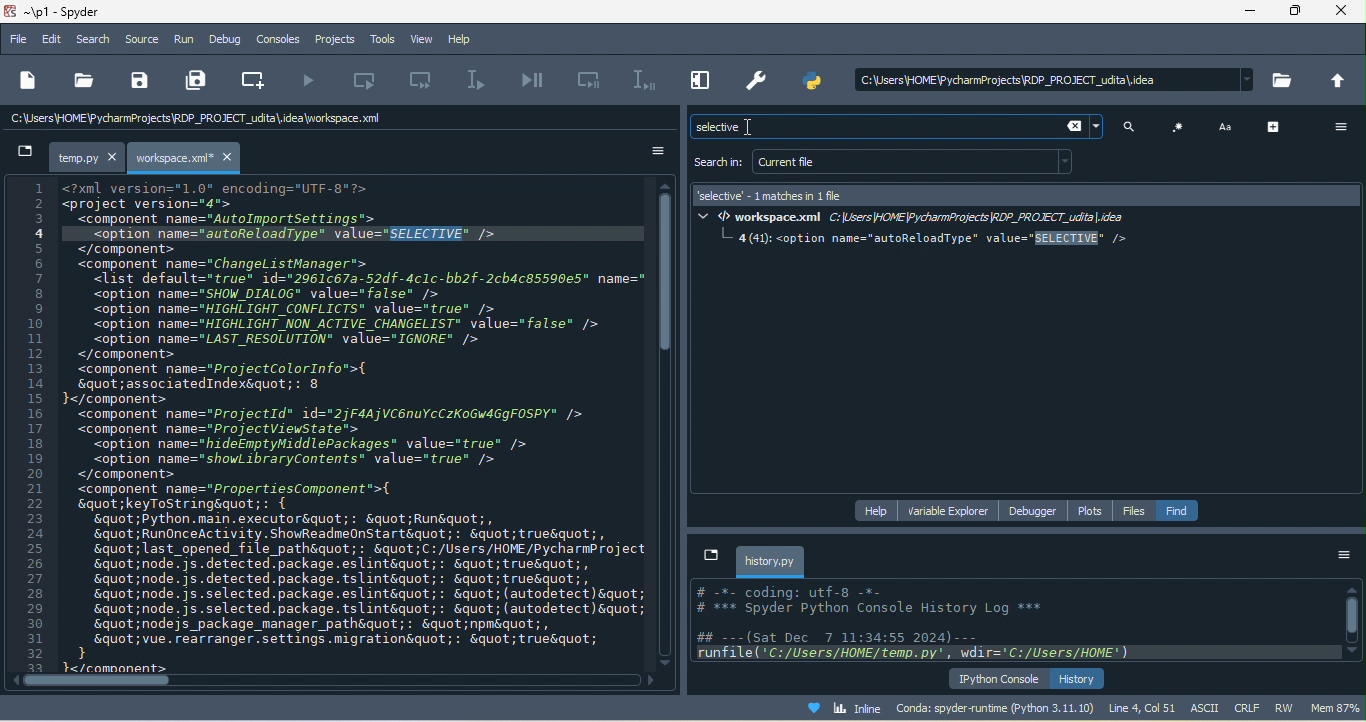 The height and width of the screenshot is (722, 1366). Describe the element at coordinates (950, 510) in the screenshot. I see `variable explorer` at that location.